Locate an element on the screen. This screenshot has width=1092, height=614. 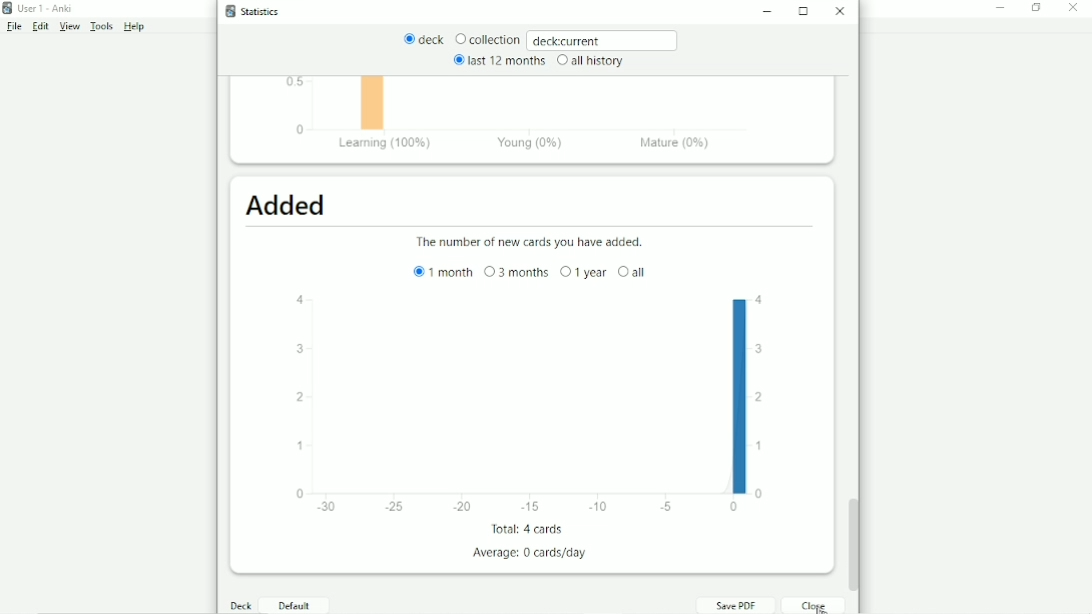
Close is located at coordinates (811, 605).